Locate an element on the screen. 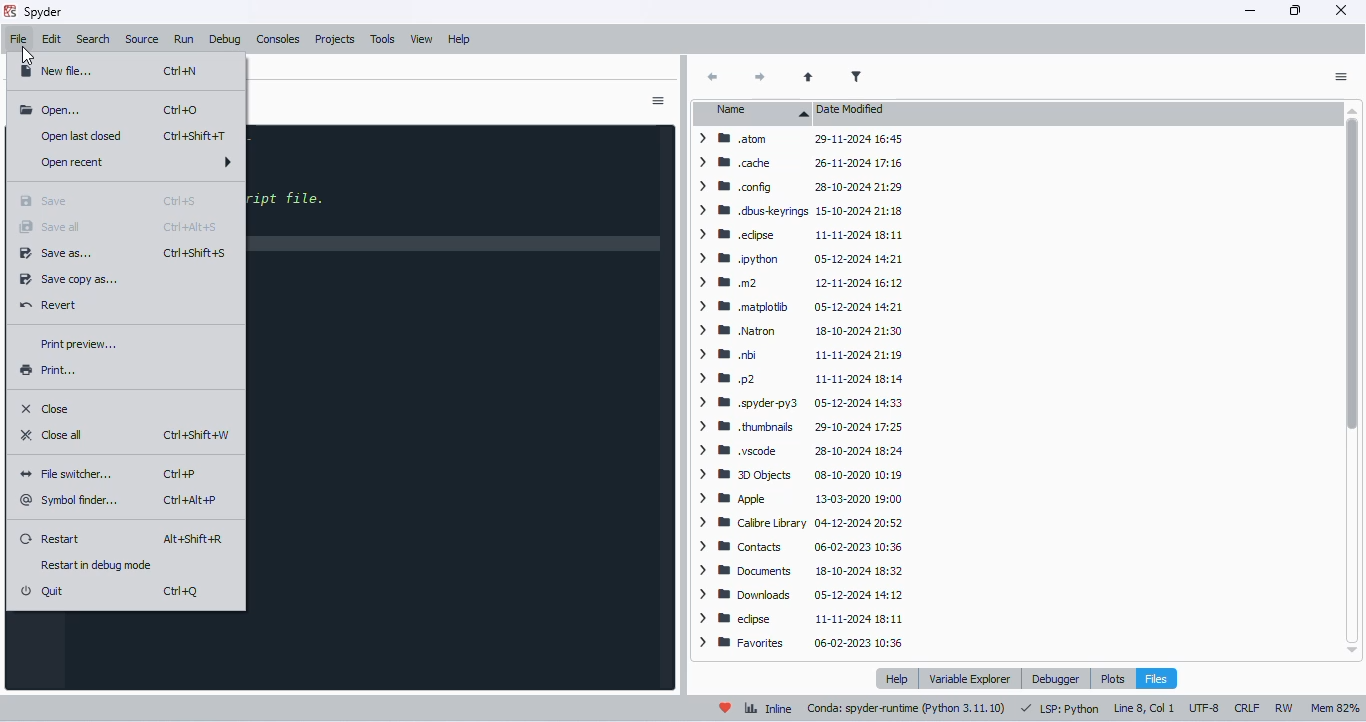 This screenshot has height=722, width=1366. save all is located at coordinates (50, 226).